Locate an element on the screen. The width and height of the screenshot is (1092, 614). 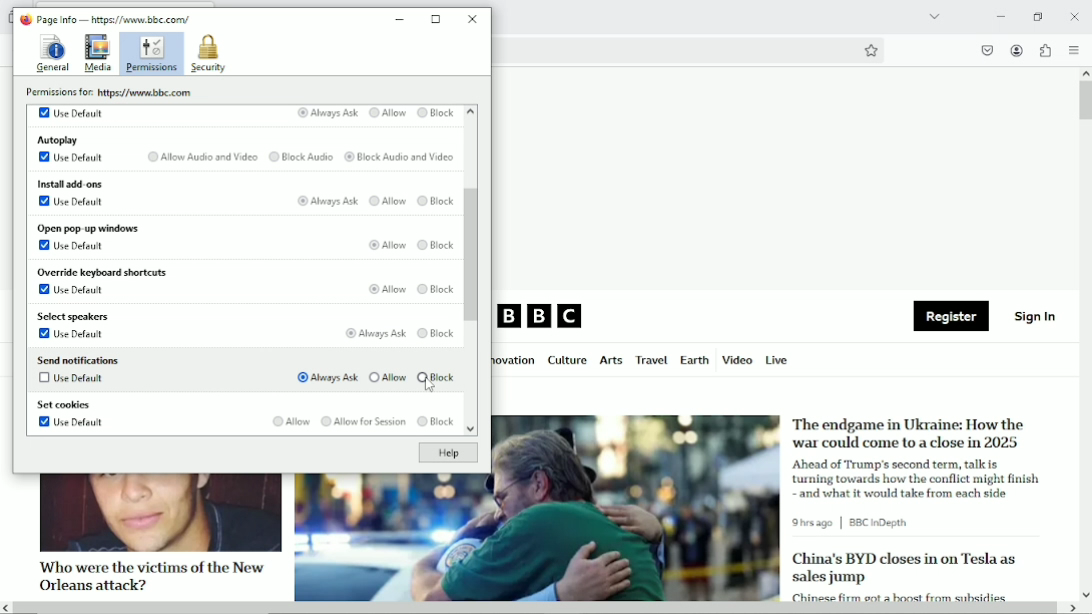
Always ask is located at coordinates (327, 202).